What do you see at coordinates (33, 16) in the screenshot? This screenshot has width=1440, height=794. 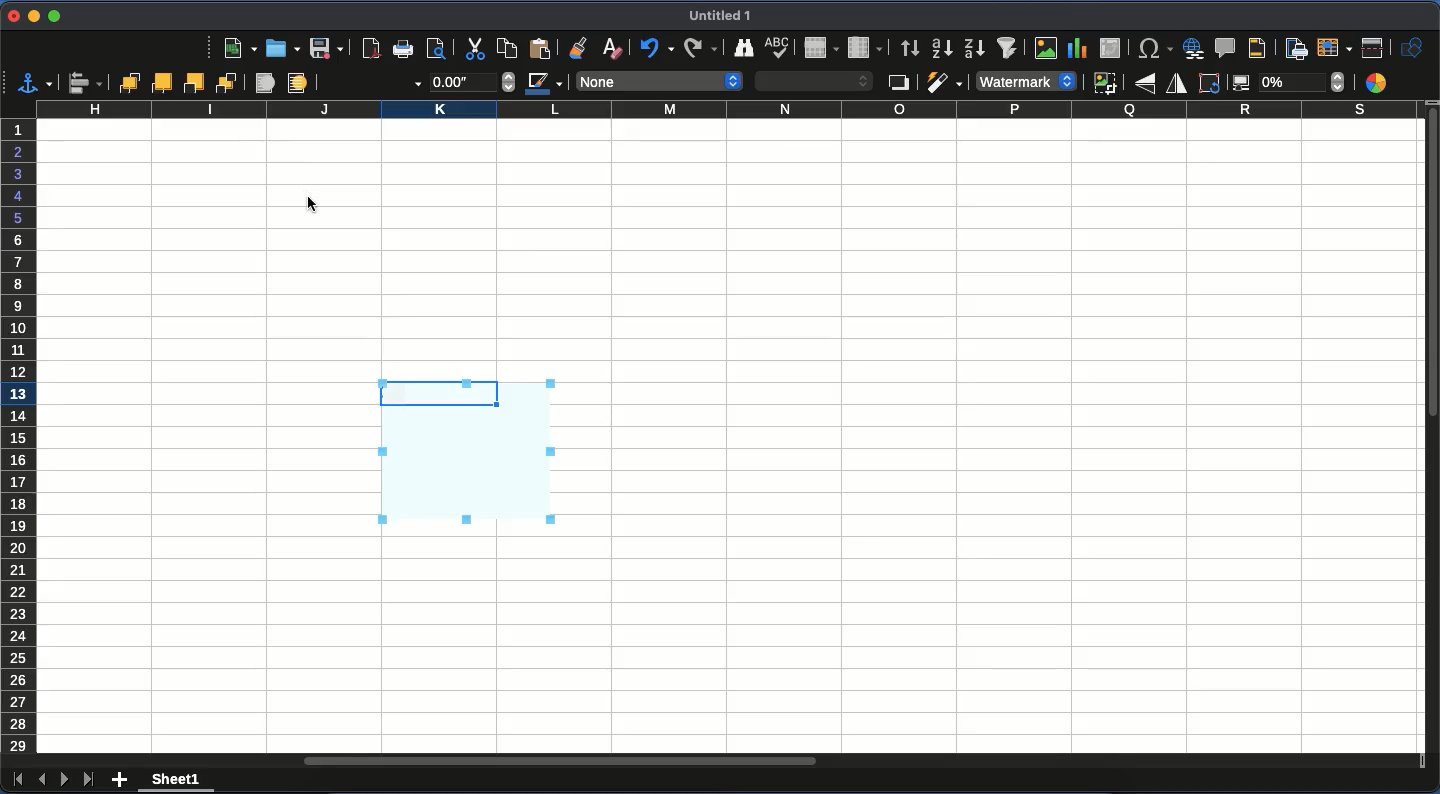 I see `minimize` at bounding box center [33, 16].